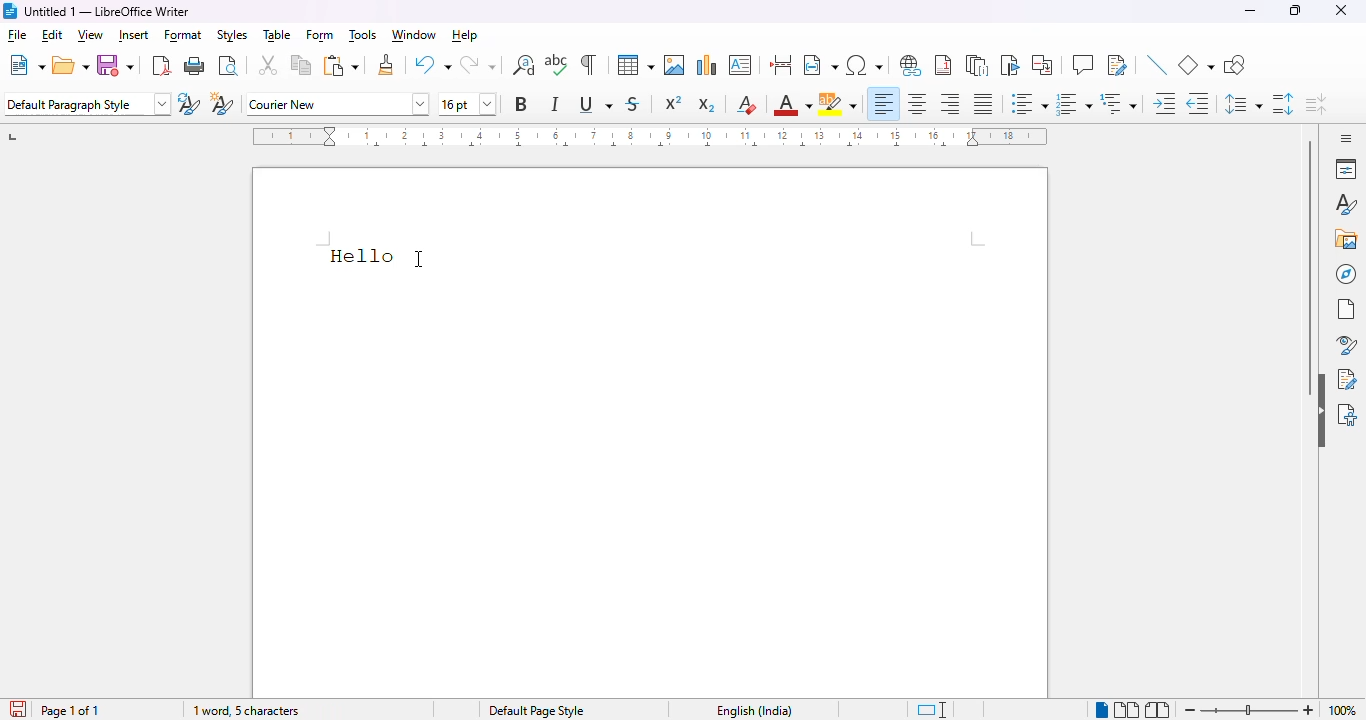  I want to click on save, so click(116, 65).